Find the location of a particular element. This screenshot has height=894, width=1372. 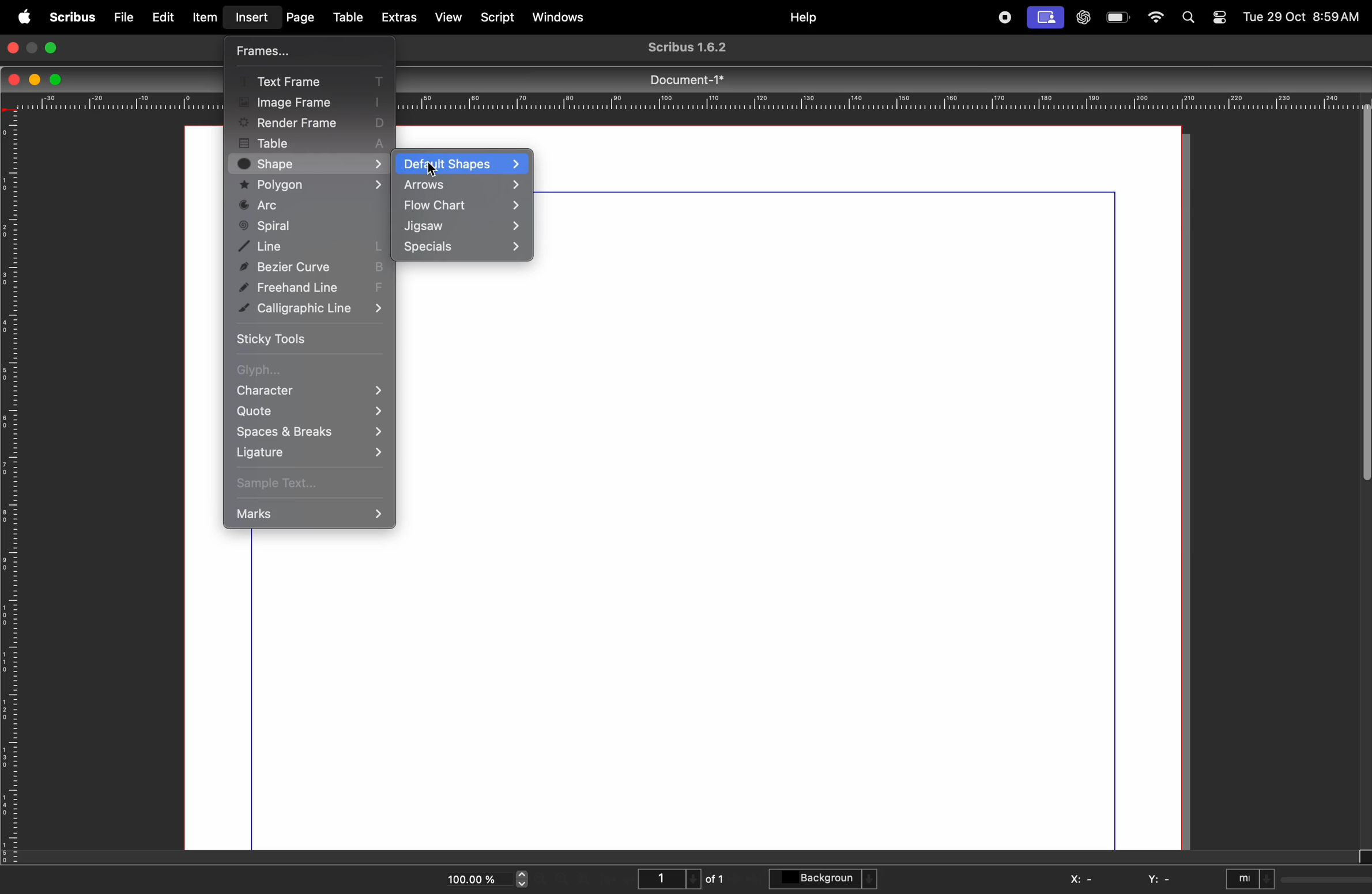

y: - is located at coordinates (1160, 880).